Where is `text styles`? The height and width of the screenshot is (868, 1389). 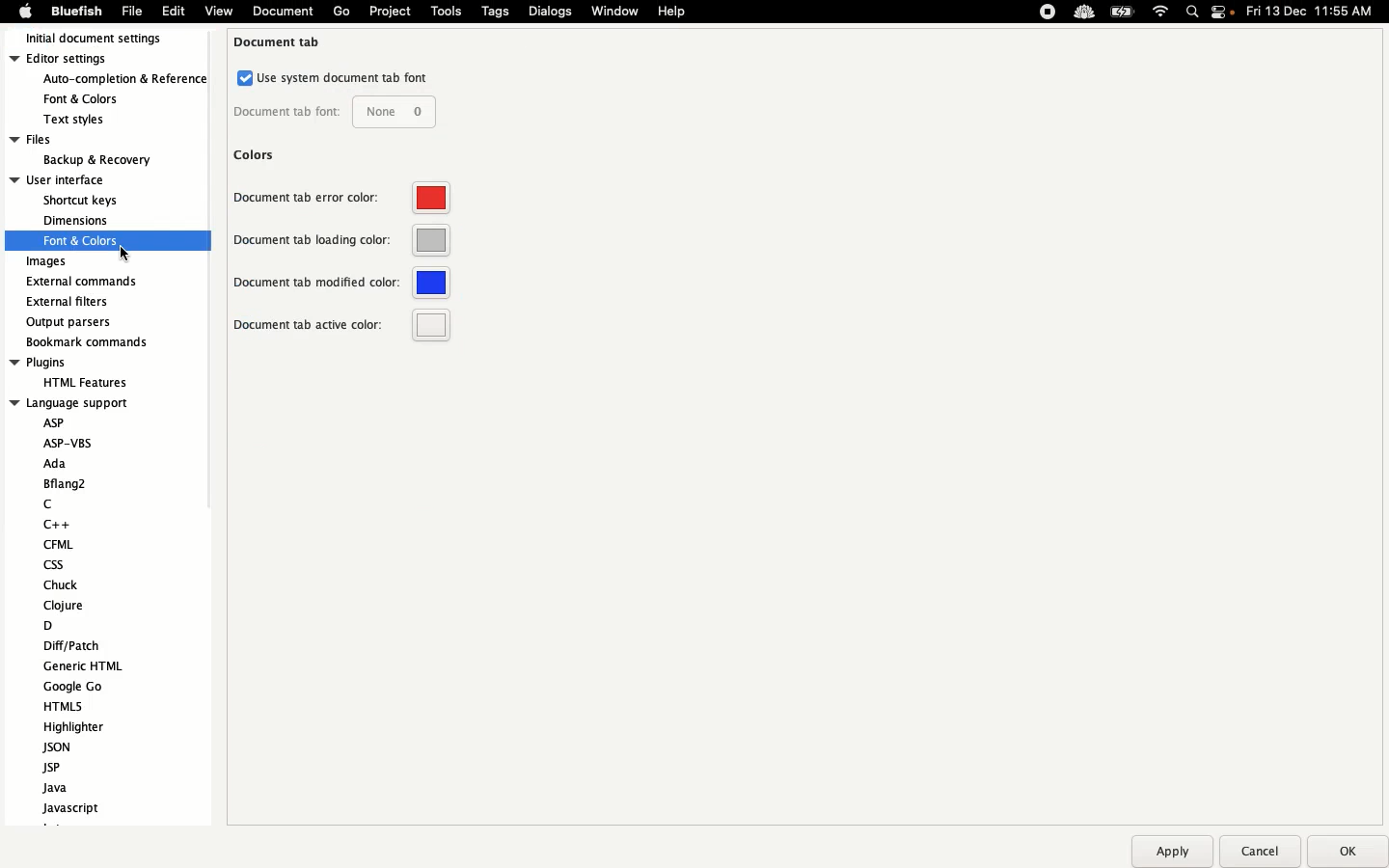
text styles is located at coordinates (87, 120).